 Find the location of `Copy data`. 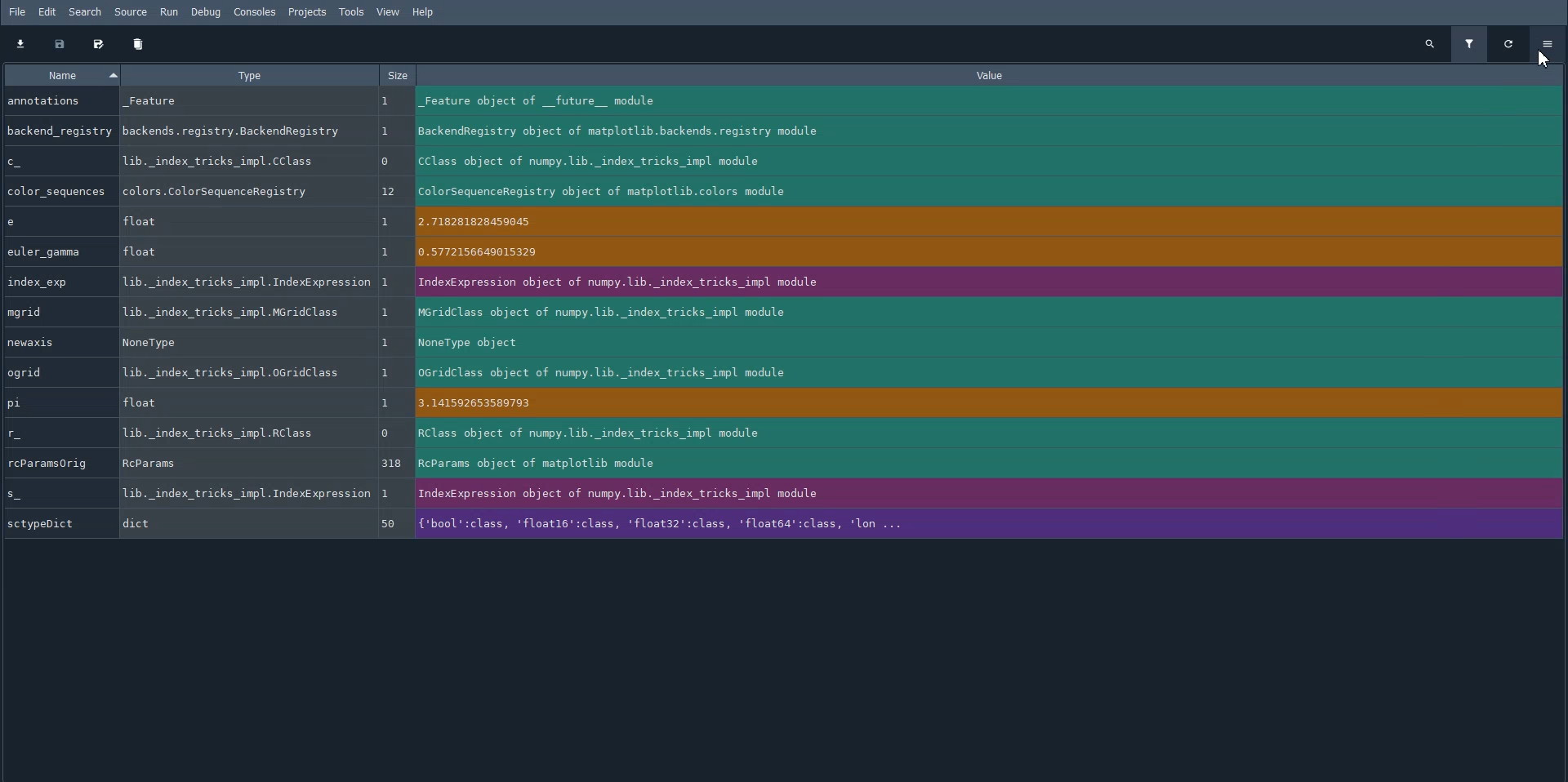

Copy data is located at coordinates (59, 44).